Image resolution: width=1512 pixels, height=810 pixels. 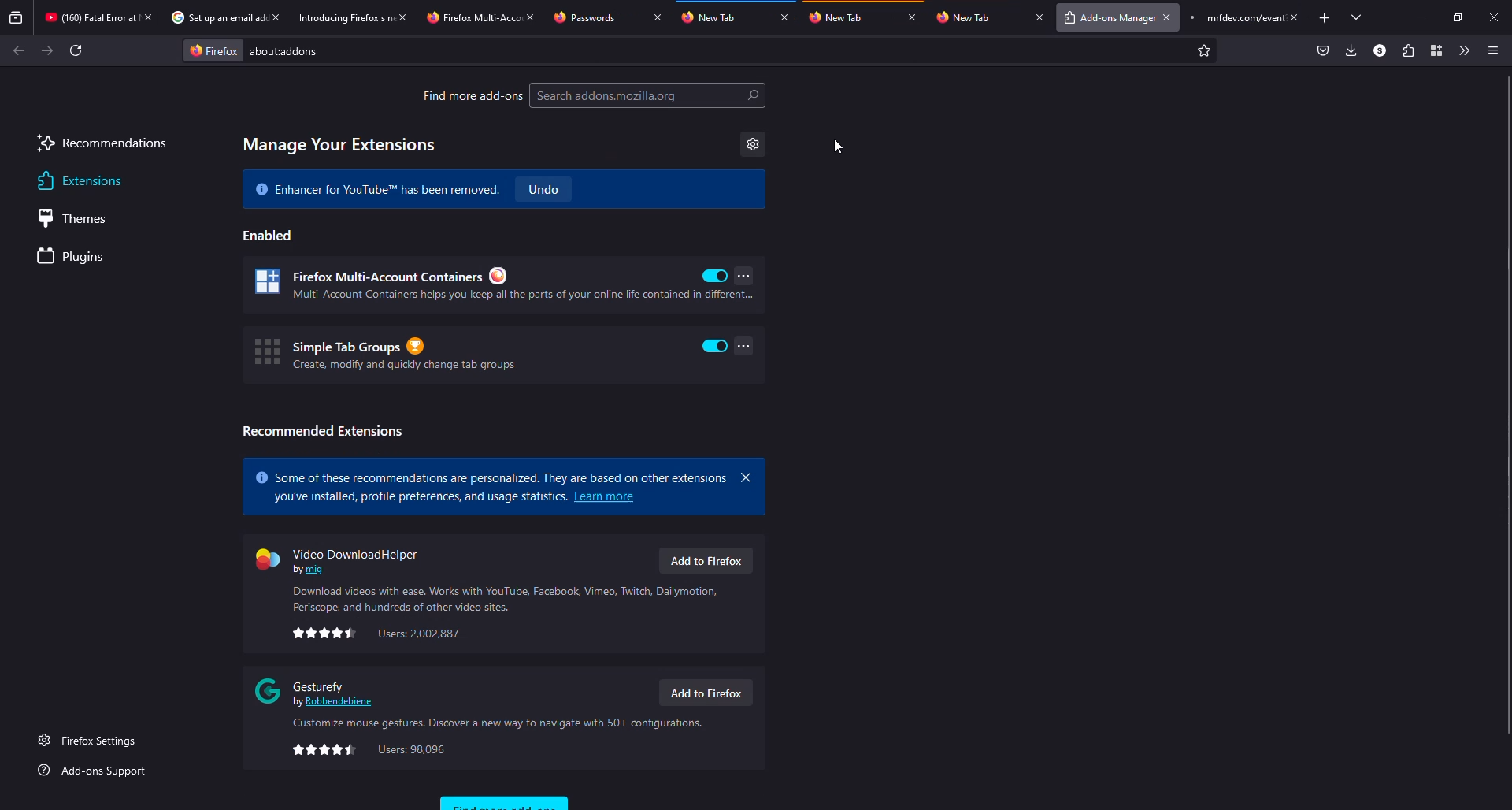 What do you see at coordinates (1462, 50) in the screenshot?
I see `more tools` at bounding box center [1462, 50].